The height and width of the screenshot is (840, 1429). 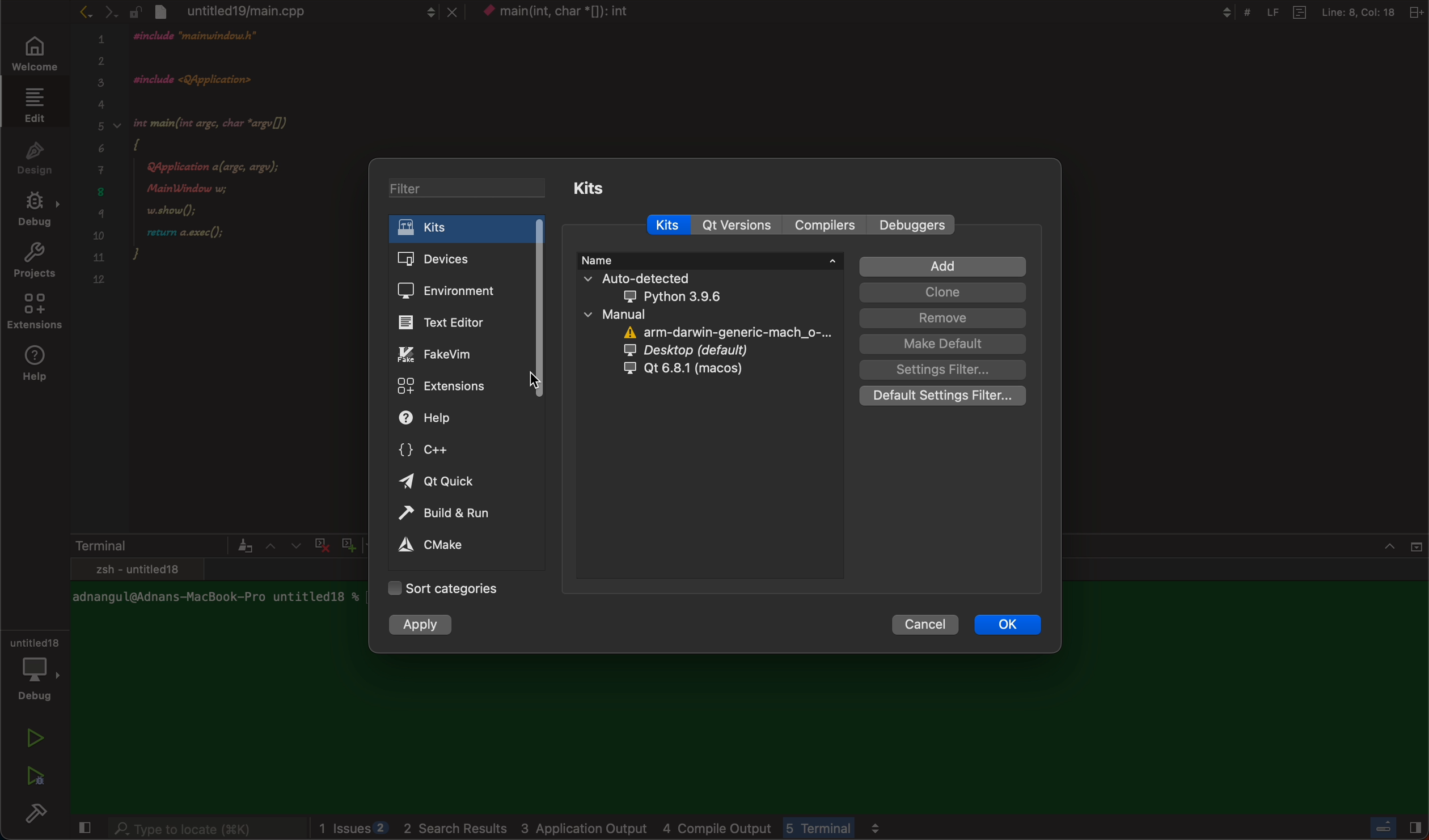 What do you see at coordinates (161, 545) in the screenshot?
I see `terminal` at bounding box center [161, 545].